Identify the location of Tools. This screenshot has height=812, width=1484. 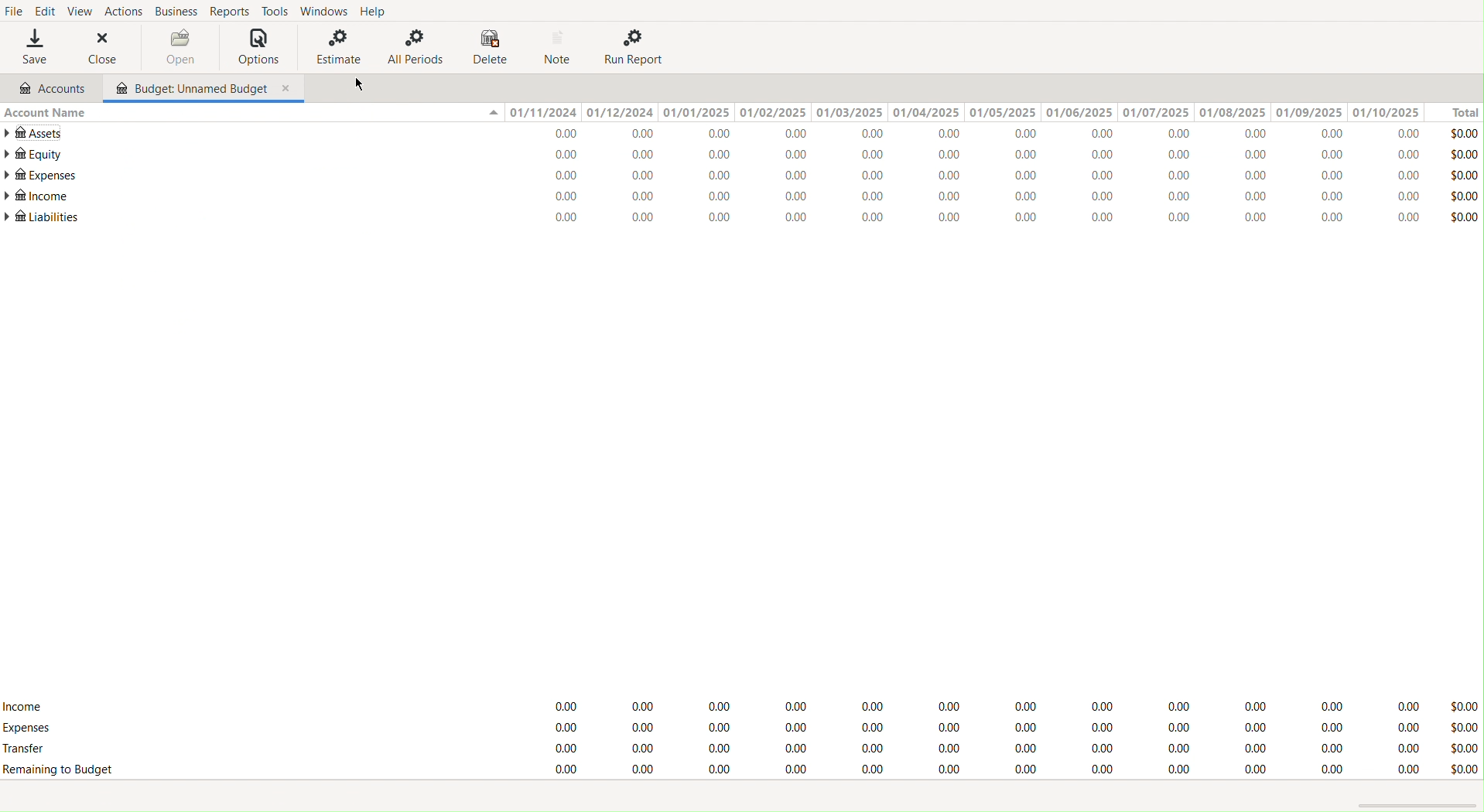
(276, 11).